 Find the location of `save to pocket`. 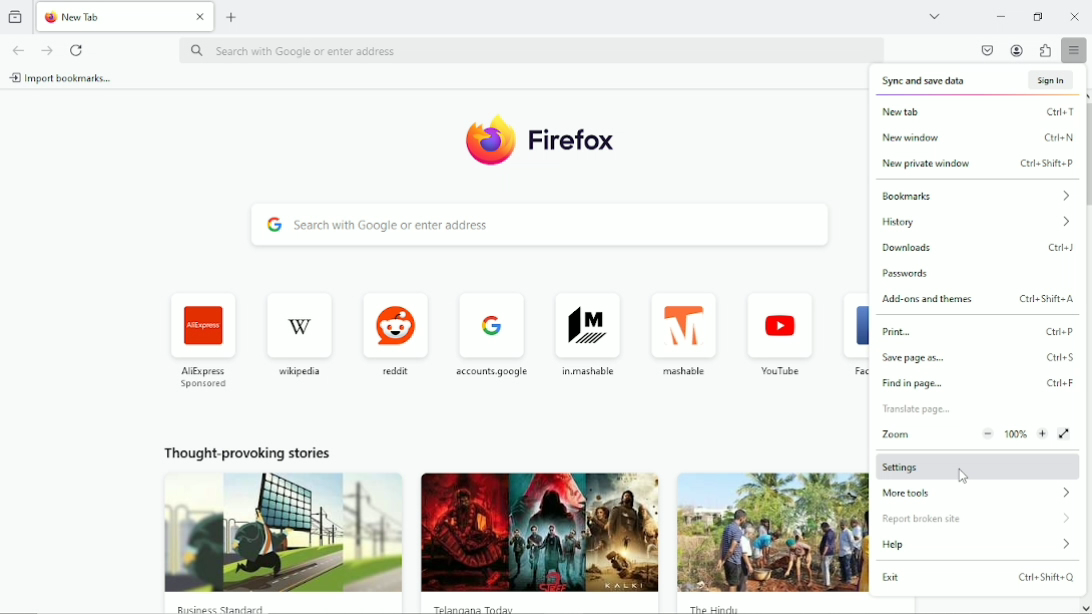

save to pocket is located at coordinates (987, 51).